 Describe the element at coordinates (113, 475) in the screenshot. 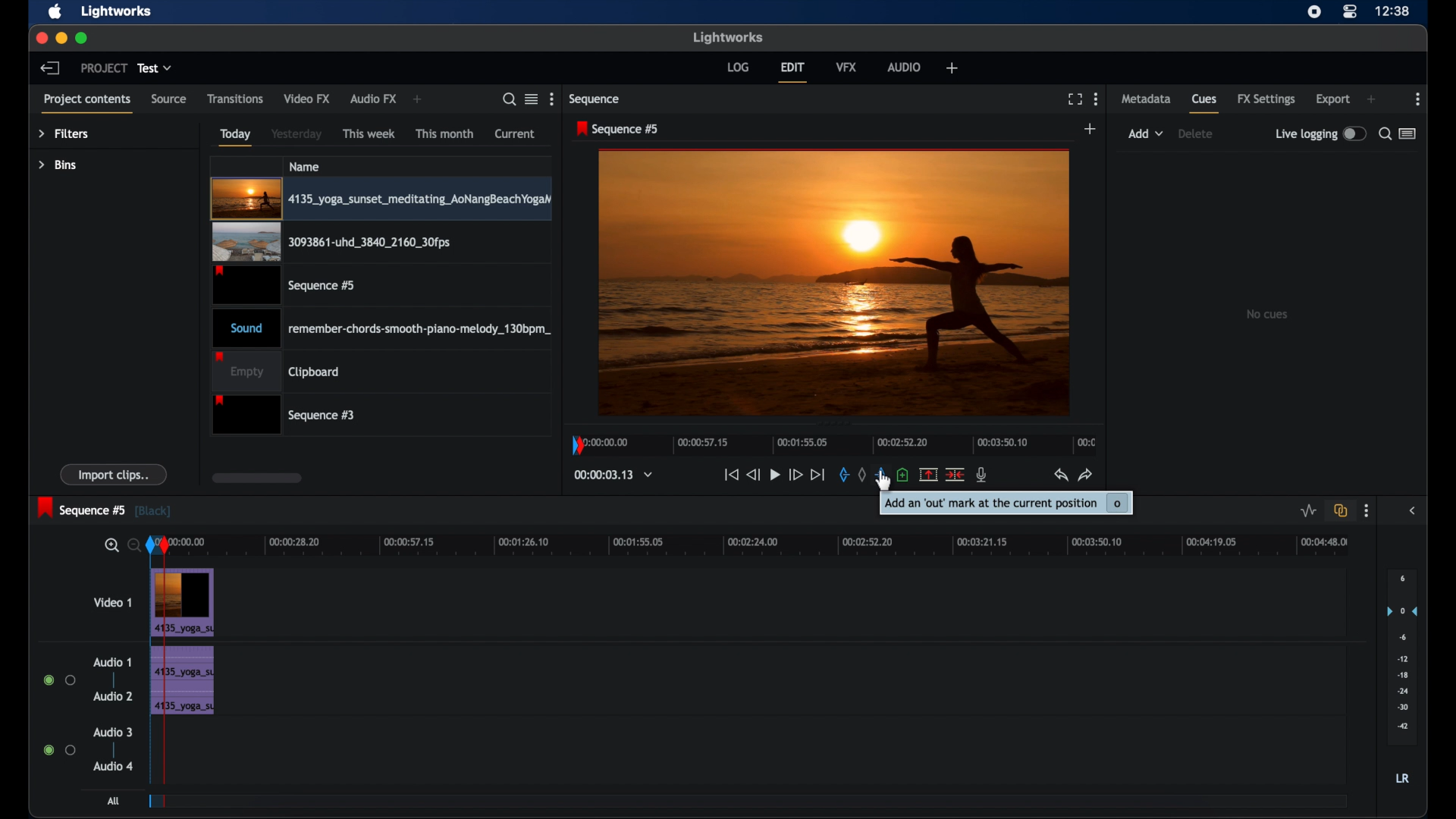

I see `import clips` at that location.